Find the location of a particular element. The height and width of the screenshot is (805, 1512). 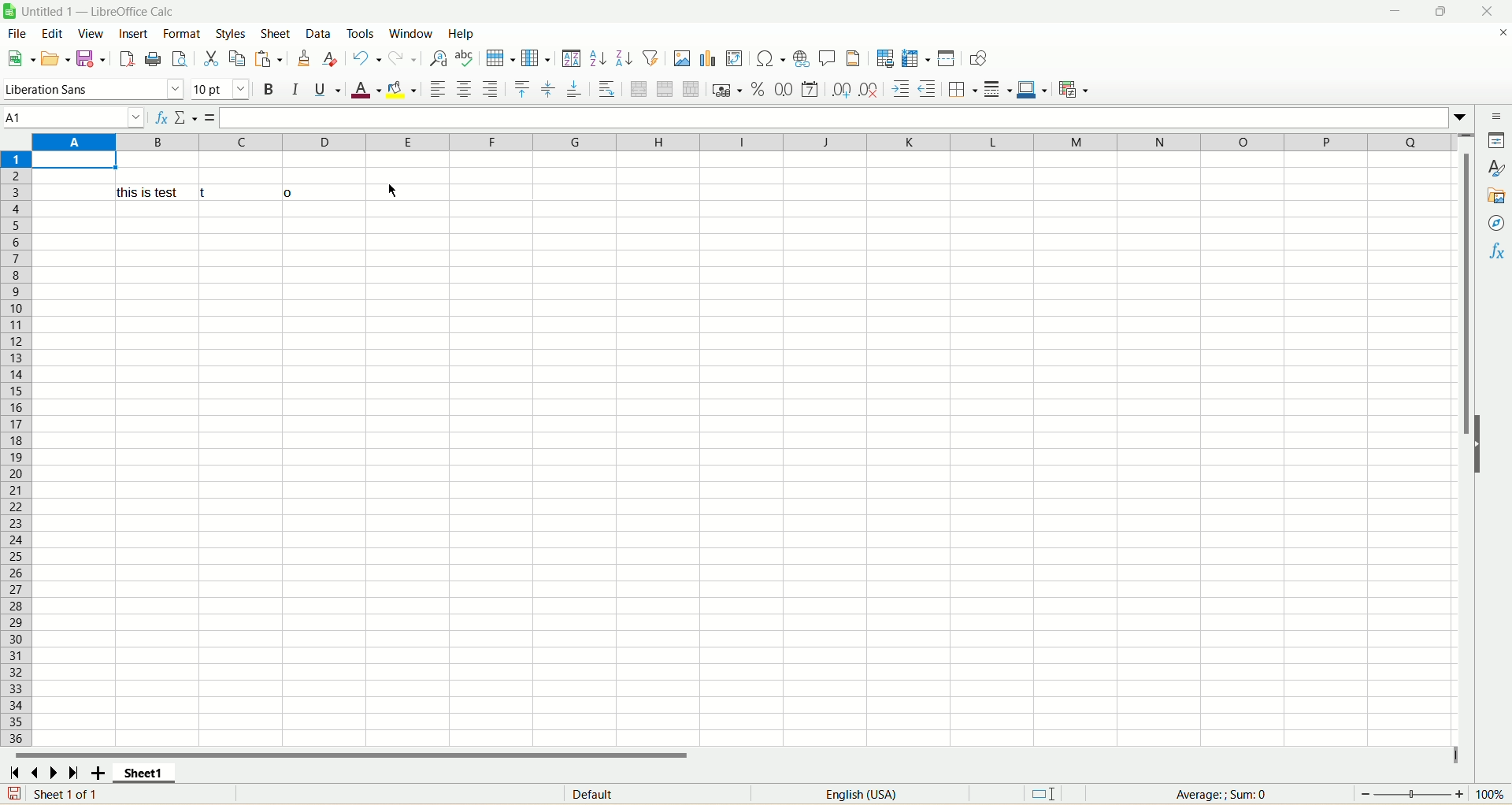

function wizard is located at coordinates (160, 120).